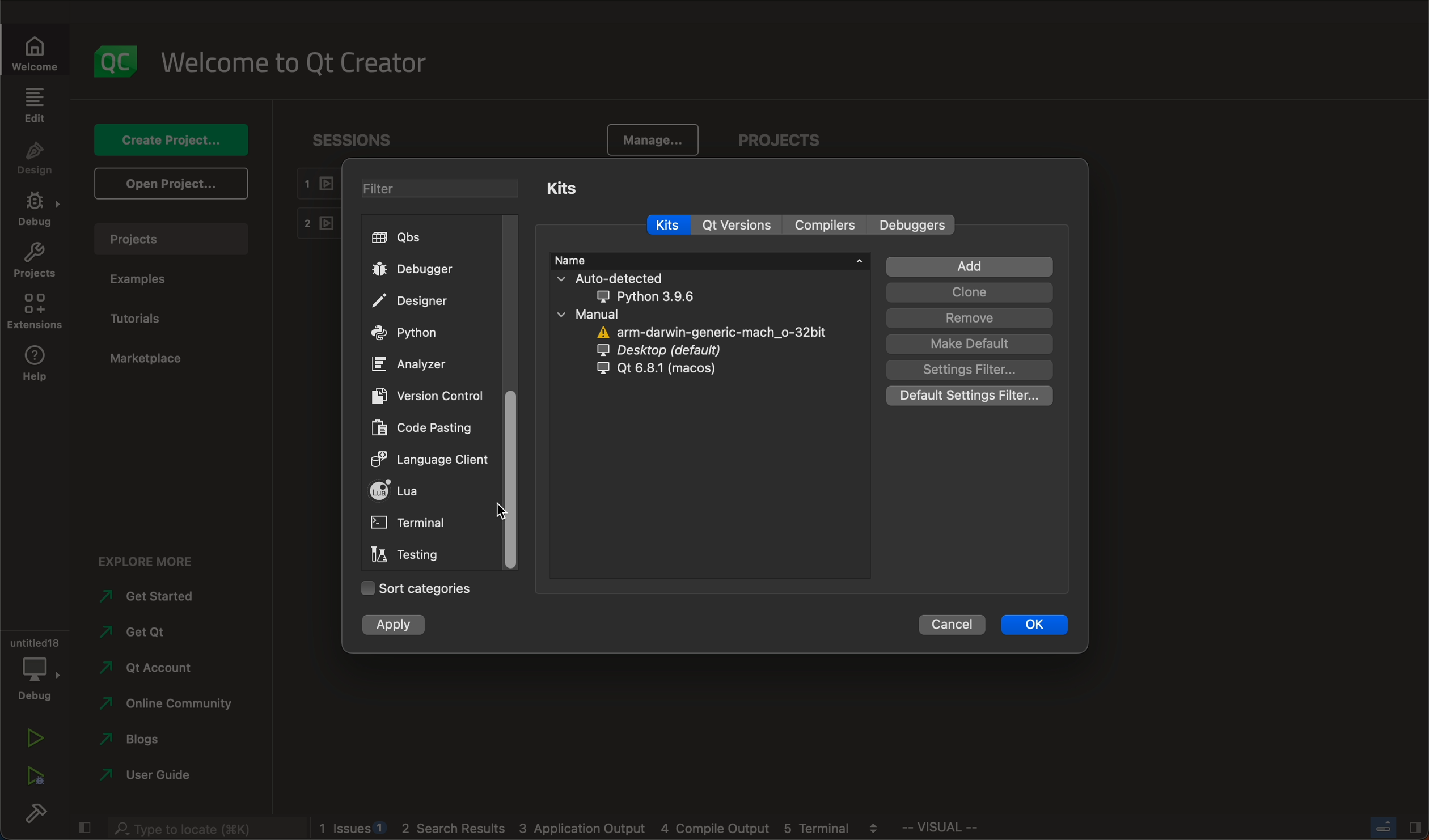 Image resolution: width=1429 pixels, height=840 pixels. Describe the element at coordinates (970, 318) in the screenshot. I see `remove` at that location.